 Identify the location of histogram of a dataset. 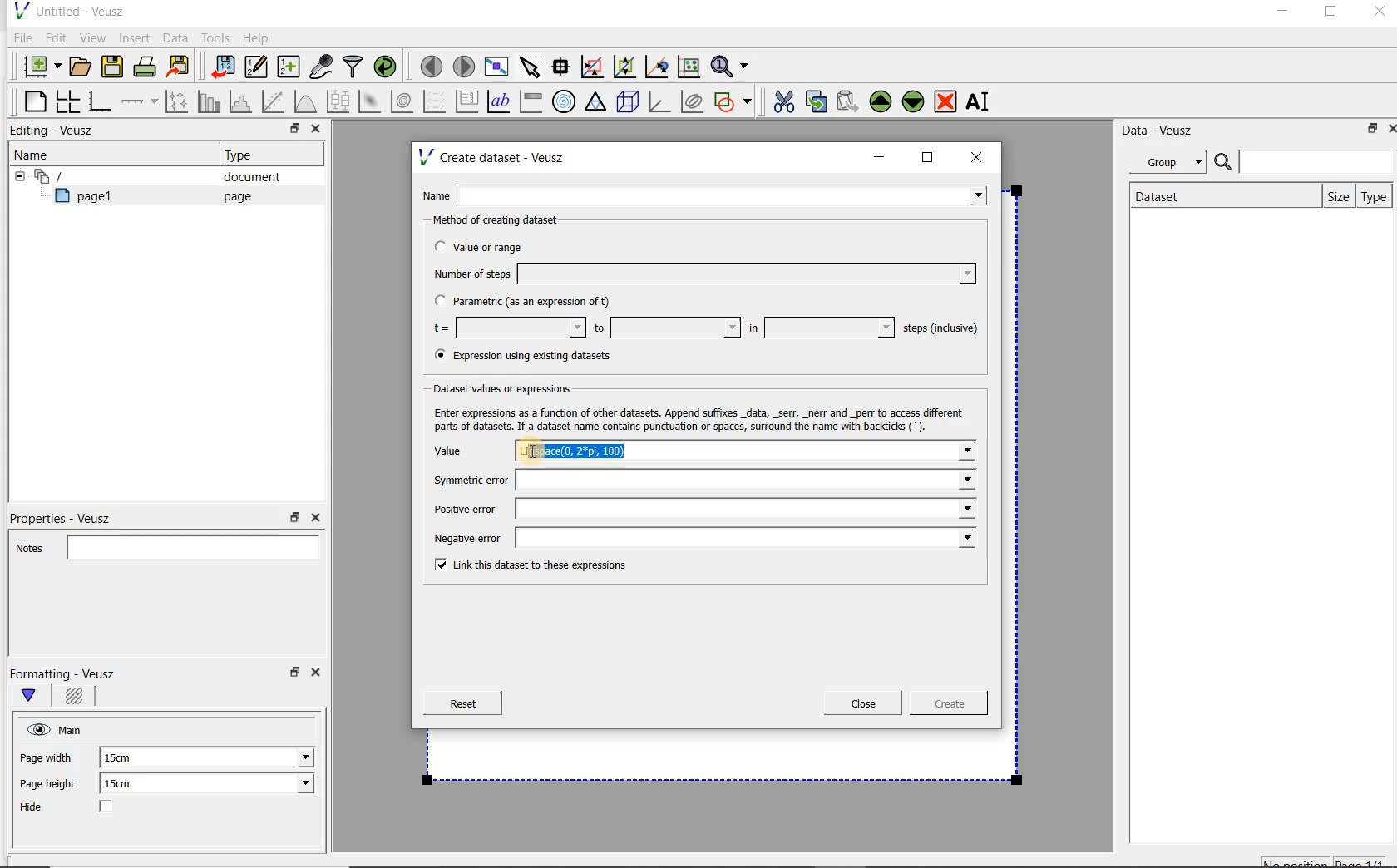
(243, 101).